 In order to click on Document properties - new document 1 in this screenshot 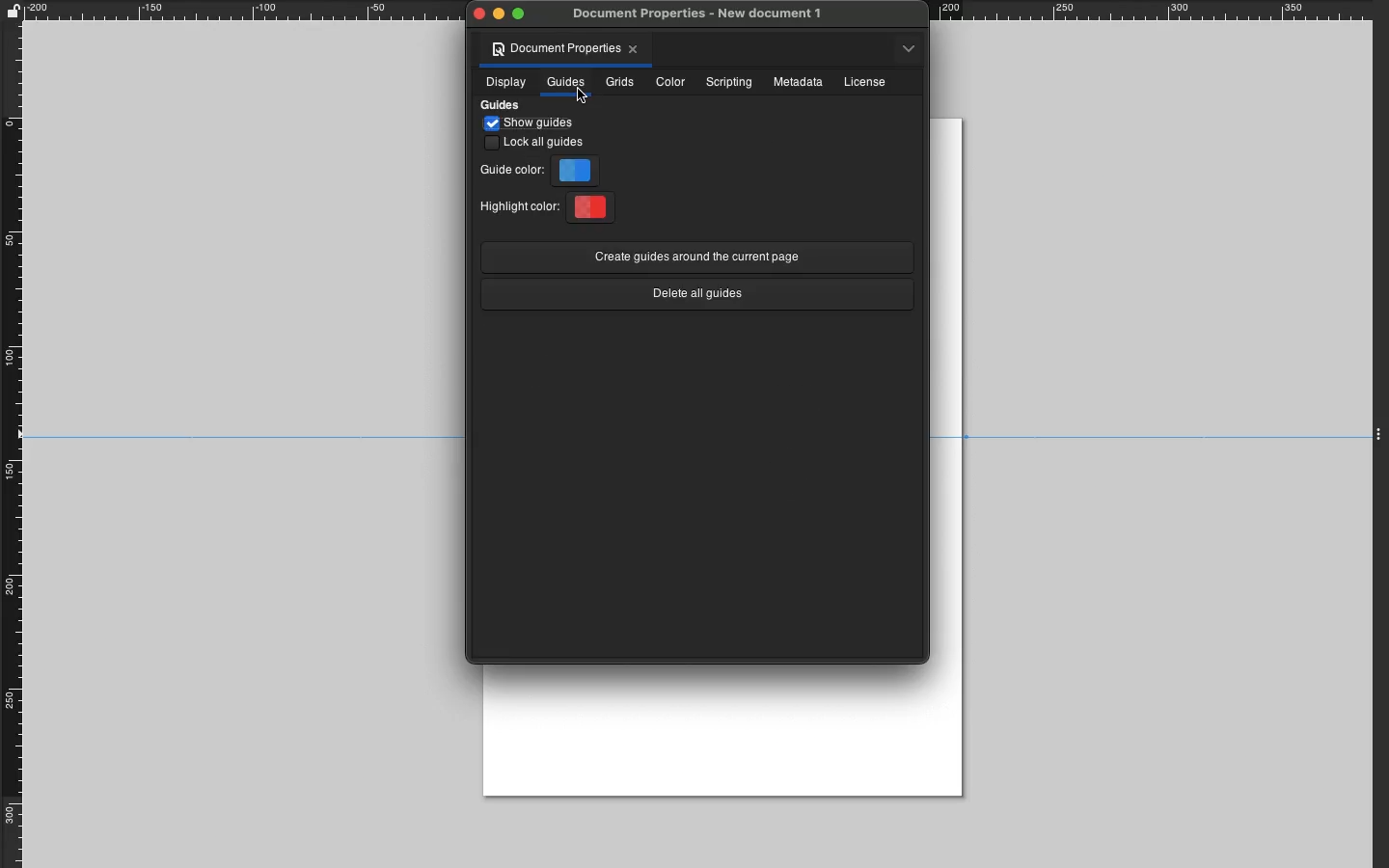, I will do `click(701, 14)`.